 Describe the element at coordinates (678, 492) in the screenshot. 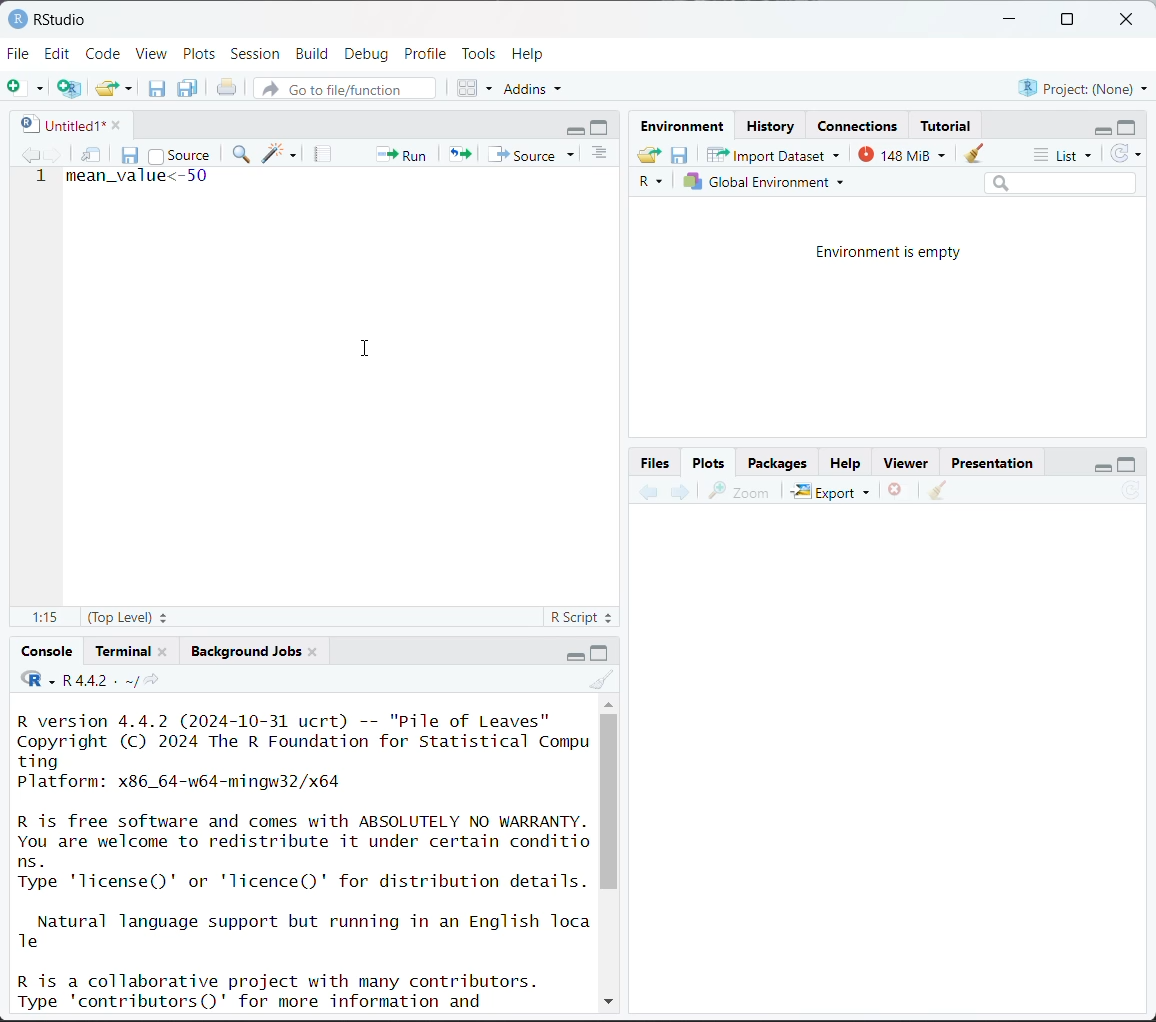

I see `next plot` at that location.